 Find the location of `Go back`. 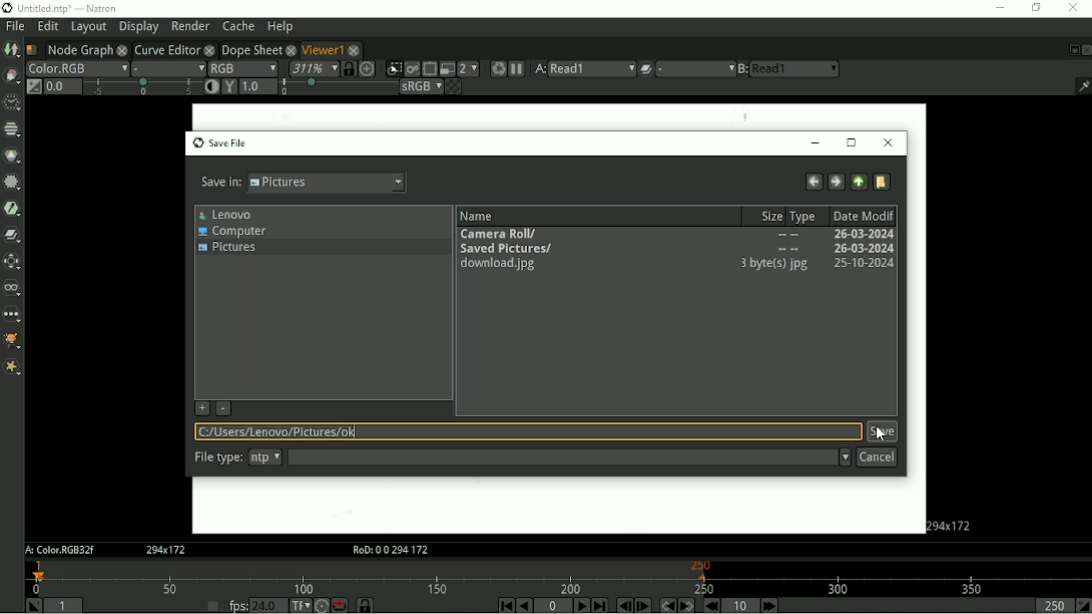

Go back is located at coordinates (812, 182).